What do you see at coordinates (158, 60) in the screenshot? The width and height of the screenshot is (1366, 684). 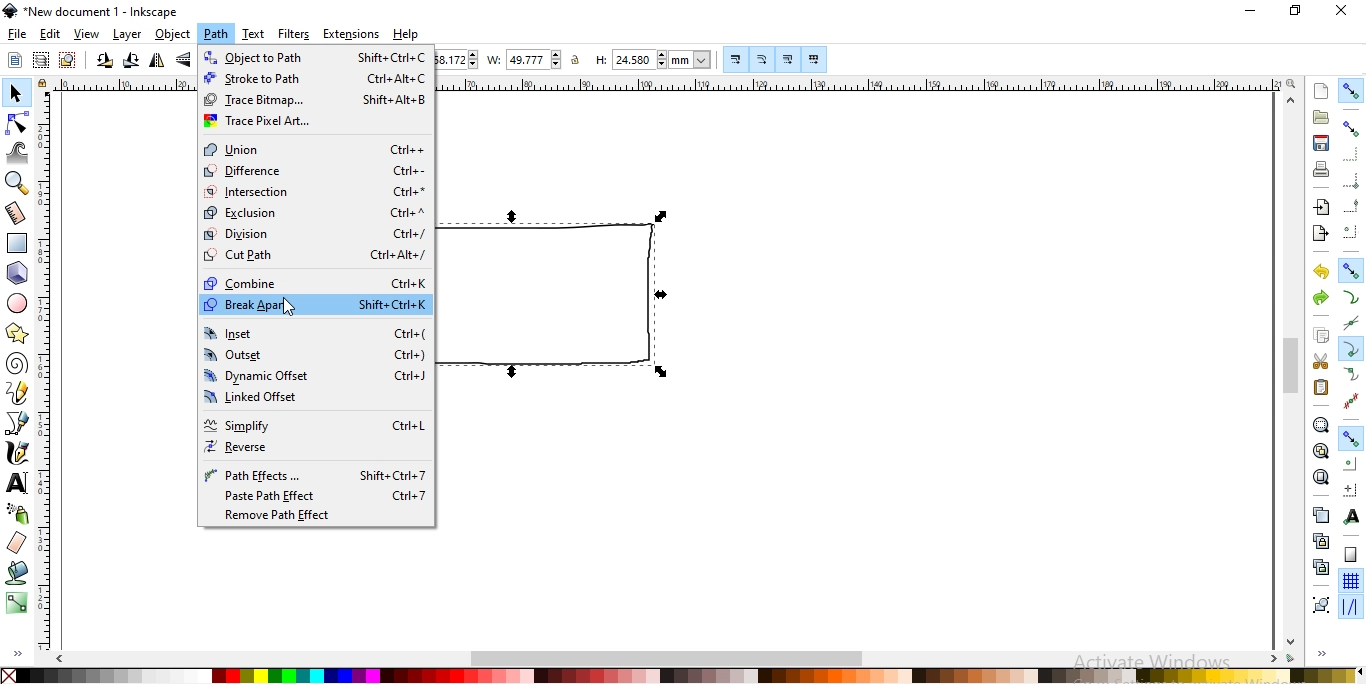 I see `flip selected objects horizontally` at bounding box center [158, 60].